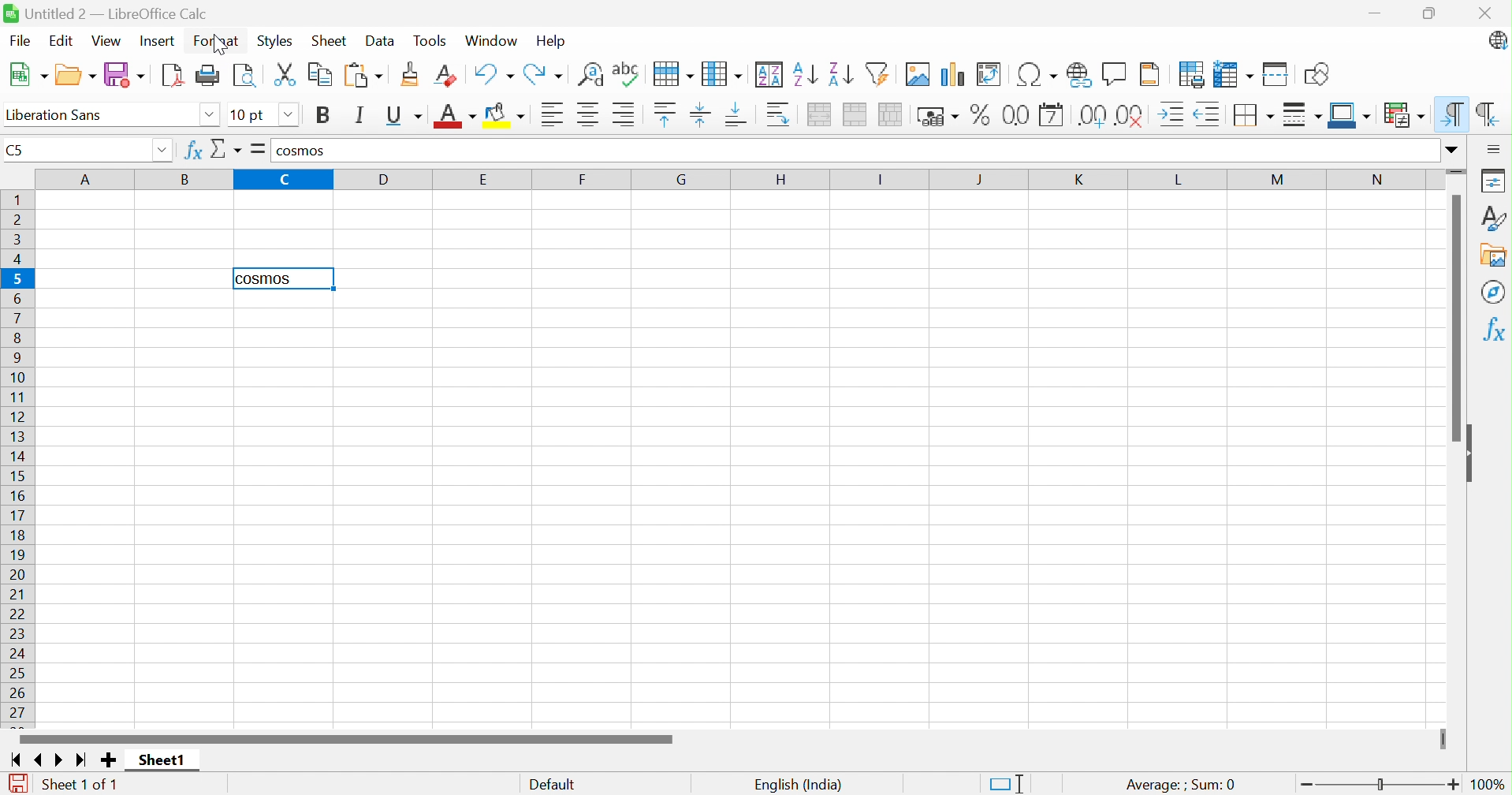  I want to click on Insert hyperlink, so click(1078, 75).